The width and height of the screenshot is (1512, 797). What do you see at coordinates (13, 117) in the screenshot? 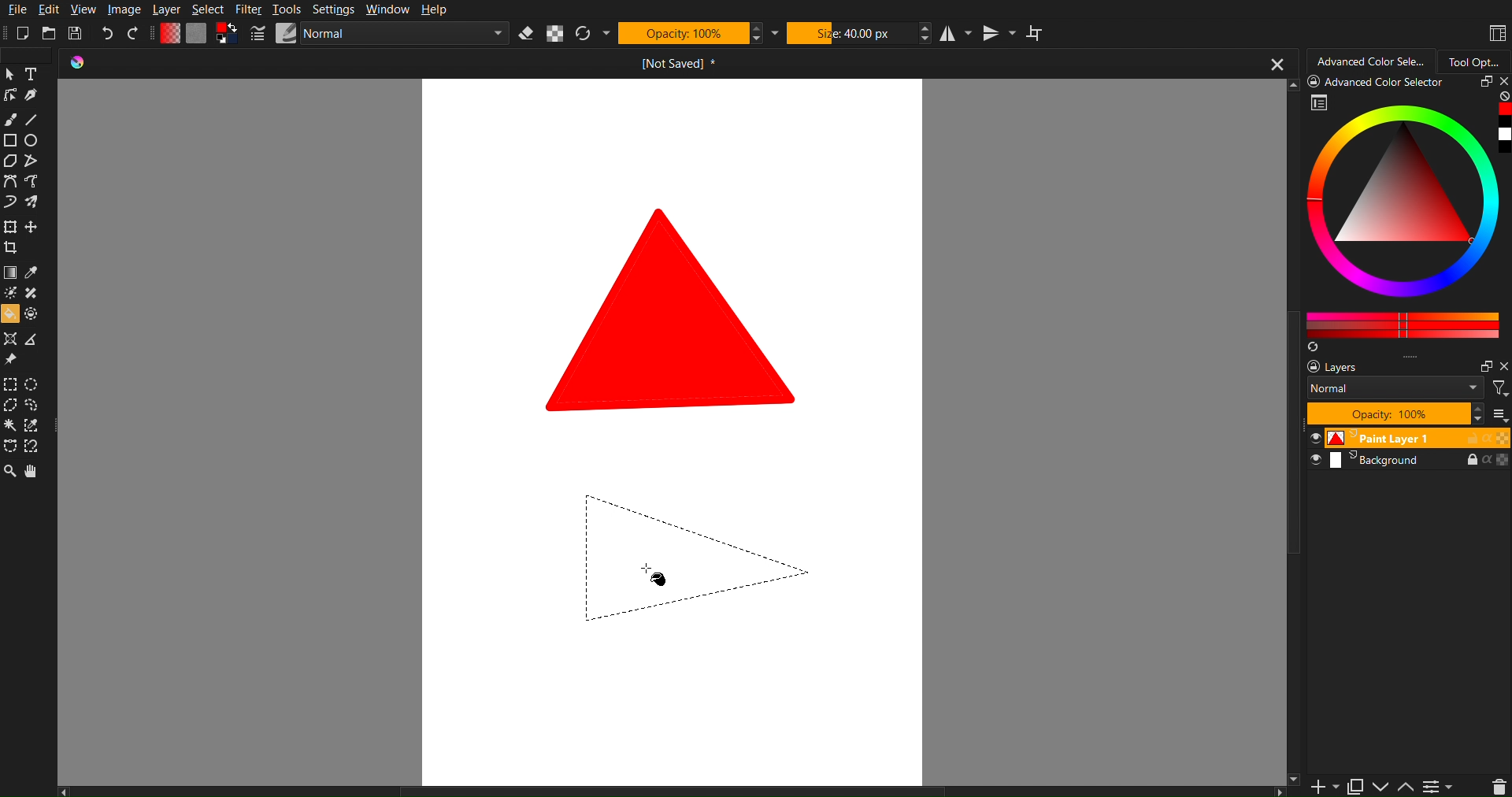
I see `Brush` at bounding box center [13, 117].